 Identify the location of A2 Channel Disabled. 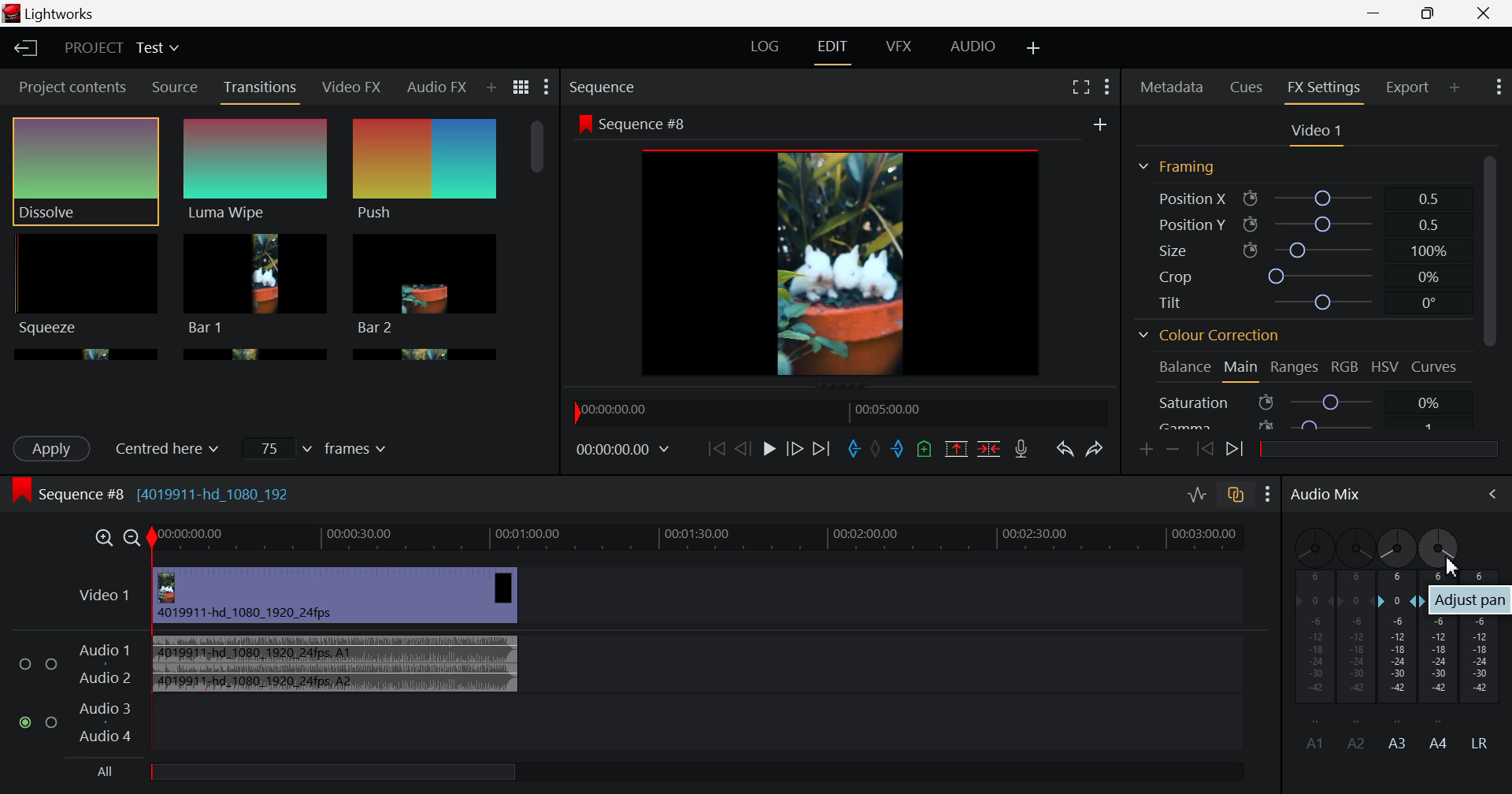
(1351, 639).